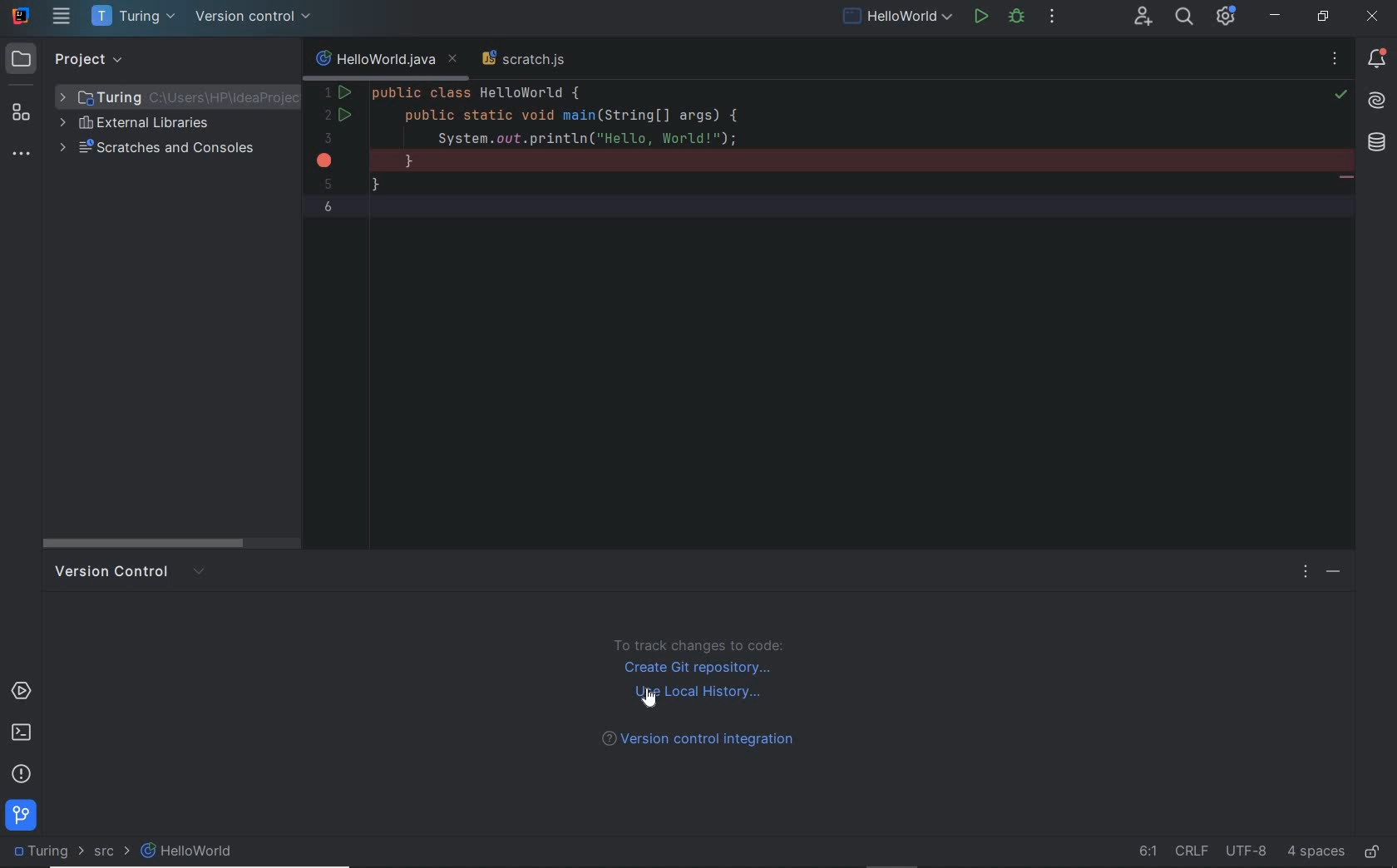  I want to click on indent, so click(1316, 850).